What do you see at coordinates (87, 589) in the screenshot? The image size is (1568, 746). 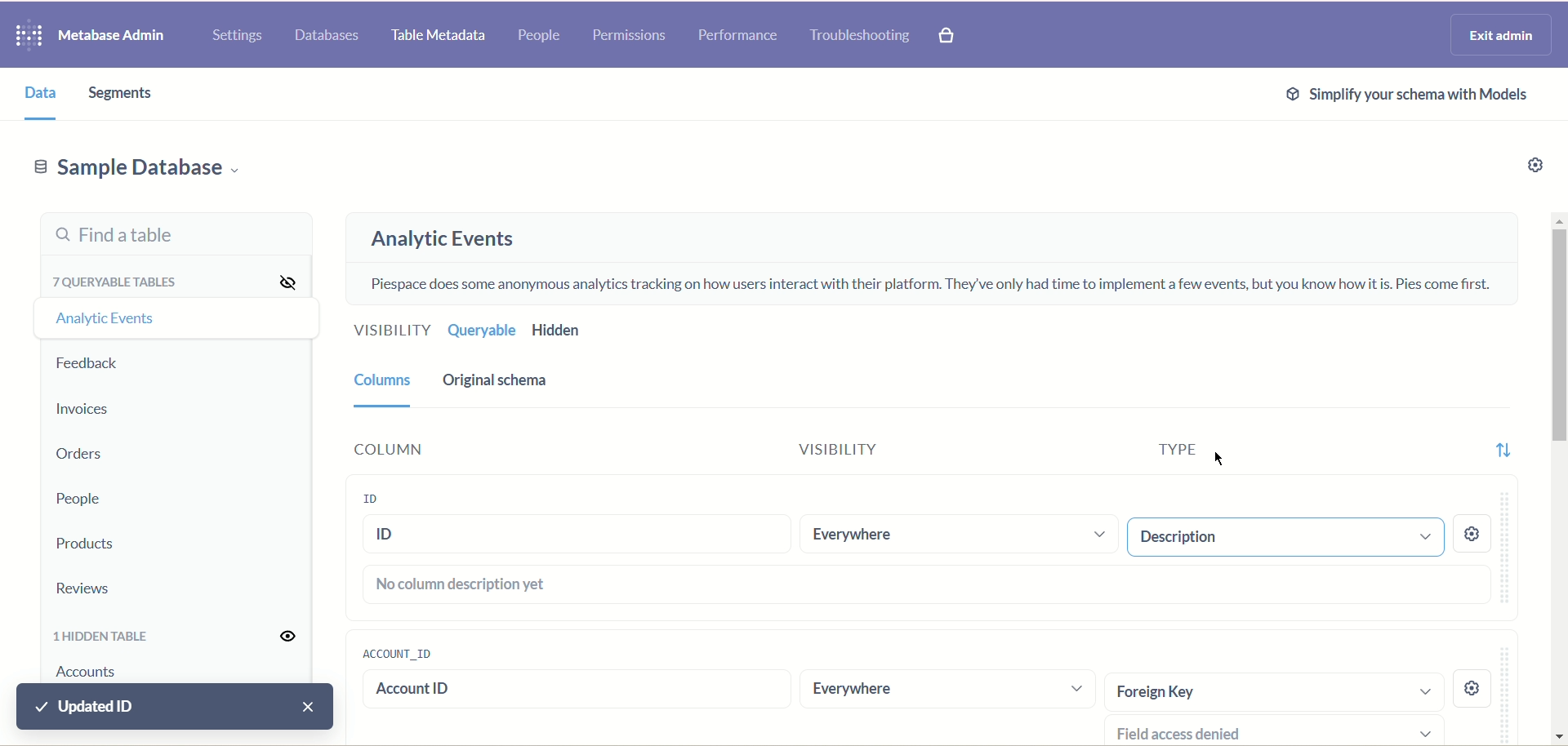 I see `reviews` at bounding box center [87, 589].